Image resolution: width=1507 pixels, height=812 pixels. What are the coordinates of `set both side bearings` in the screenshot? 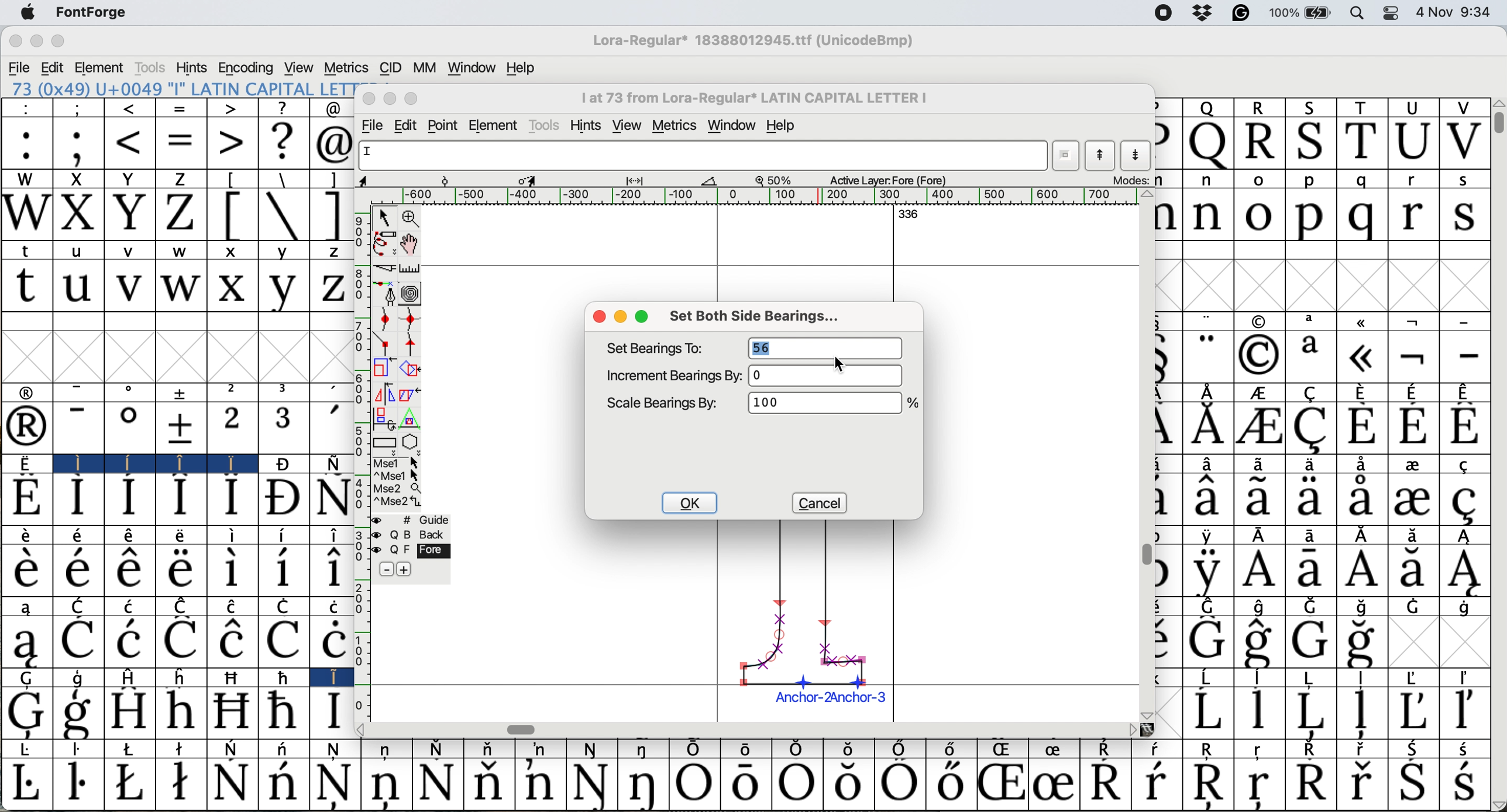 It's located at (763, 317).